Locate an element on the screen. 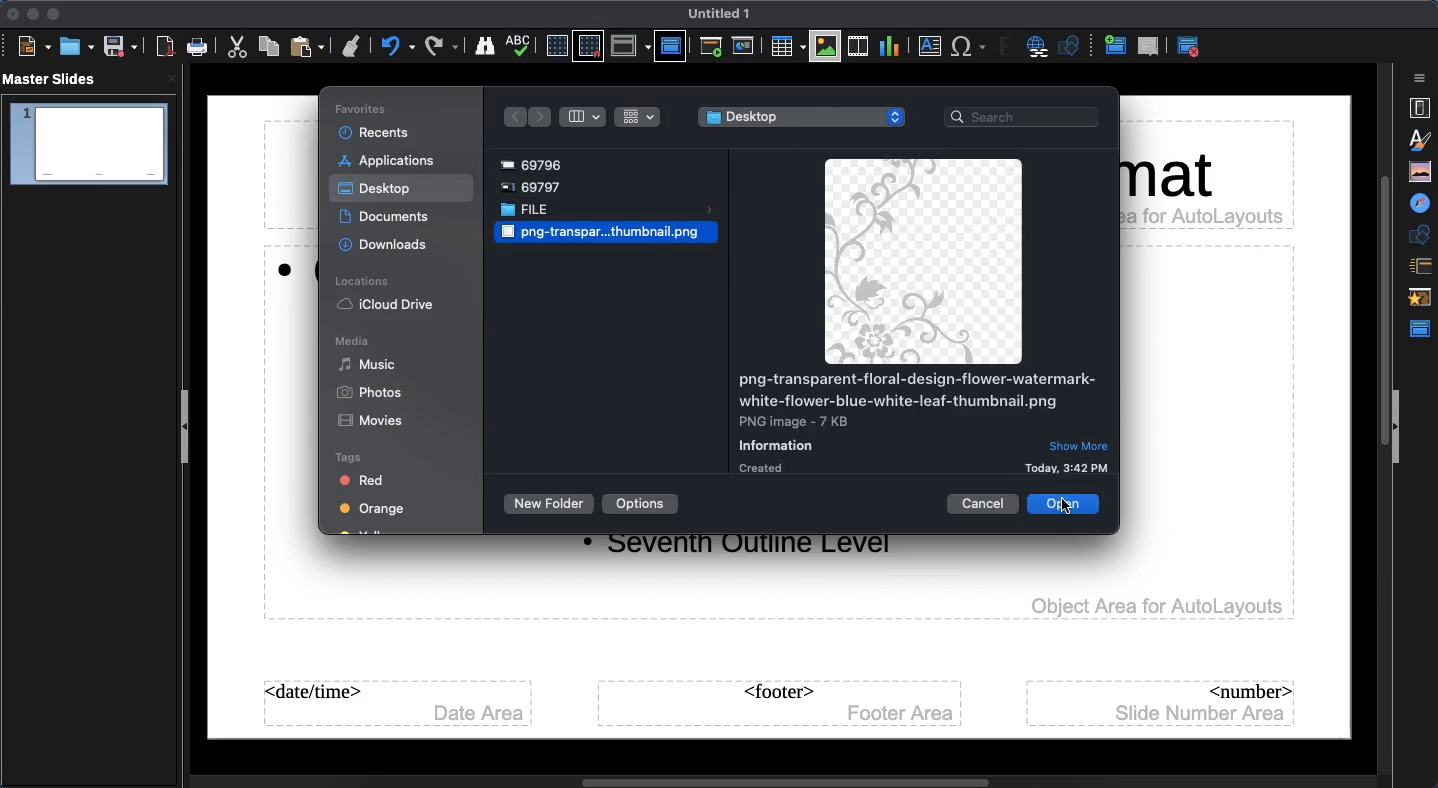  File is located at coordinates (607, 211).